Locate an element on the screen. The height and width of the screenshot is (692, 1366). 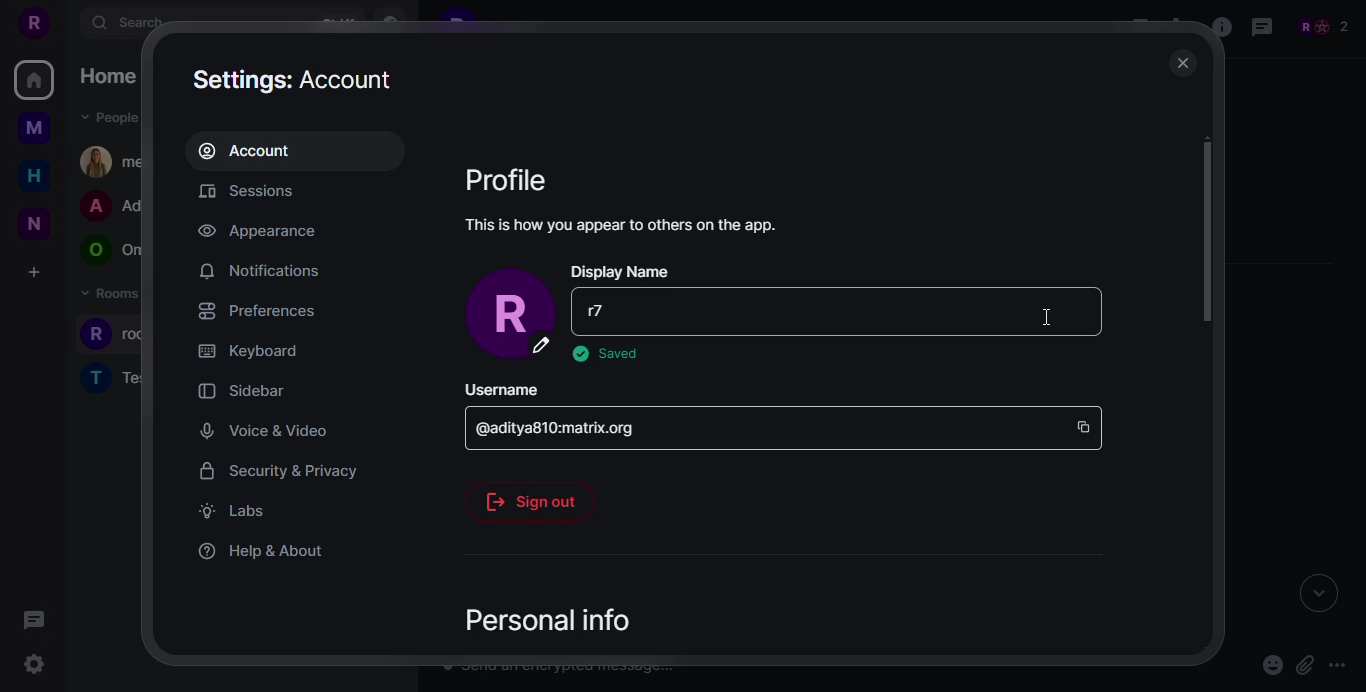
close is located at coordinates (1085, 310).